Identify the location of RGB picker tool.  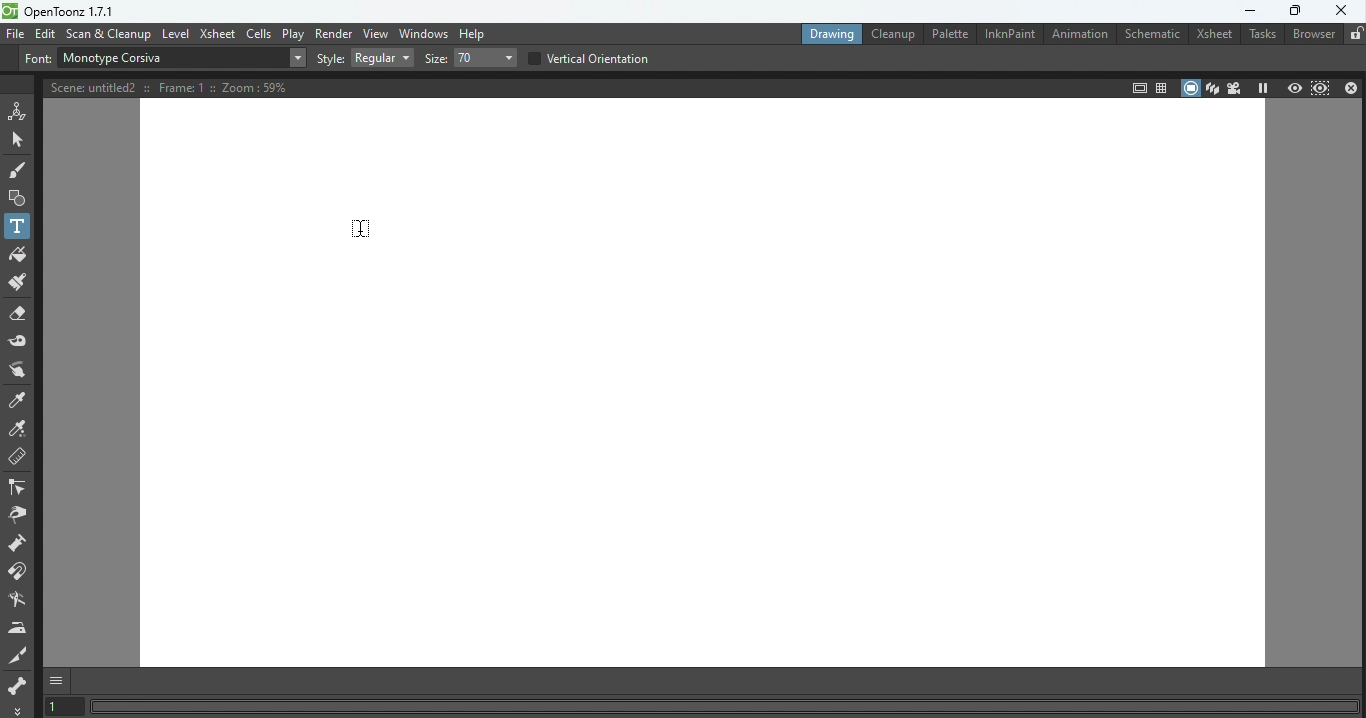
(21, 427).